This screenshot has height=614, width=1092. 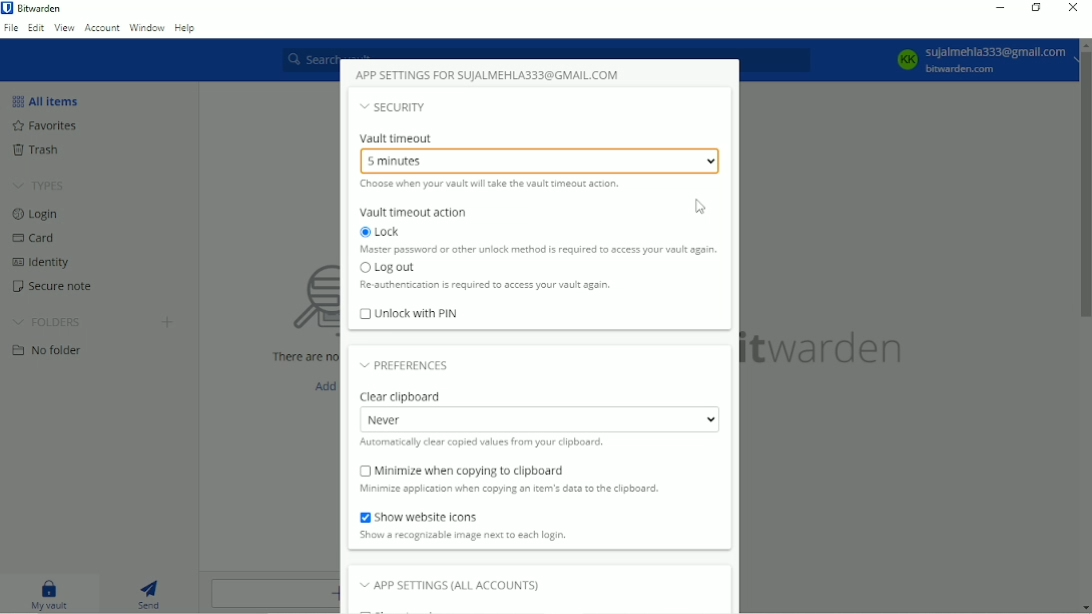 I want to click on View, so click(x=64, y=30).